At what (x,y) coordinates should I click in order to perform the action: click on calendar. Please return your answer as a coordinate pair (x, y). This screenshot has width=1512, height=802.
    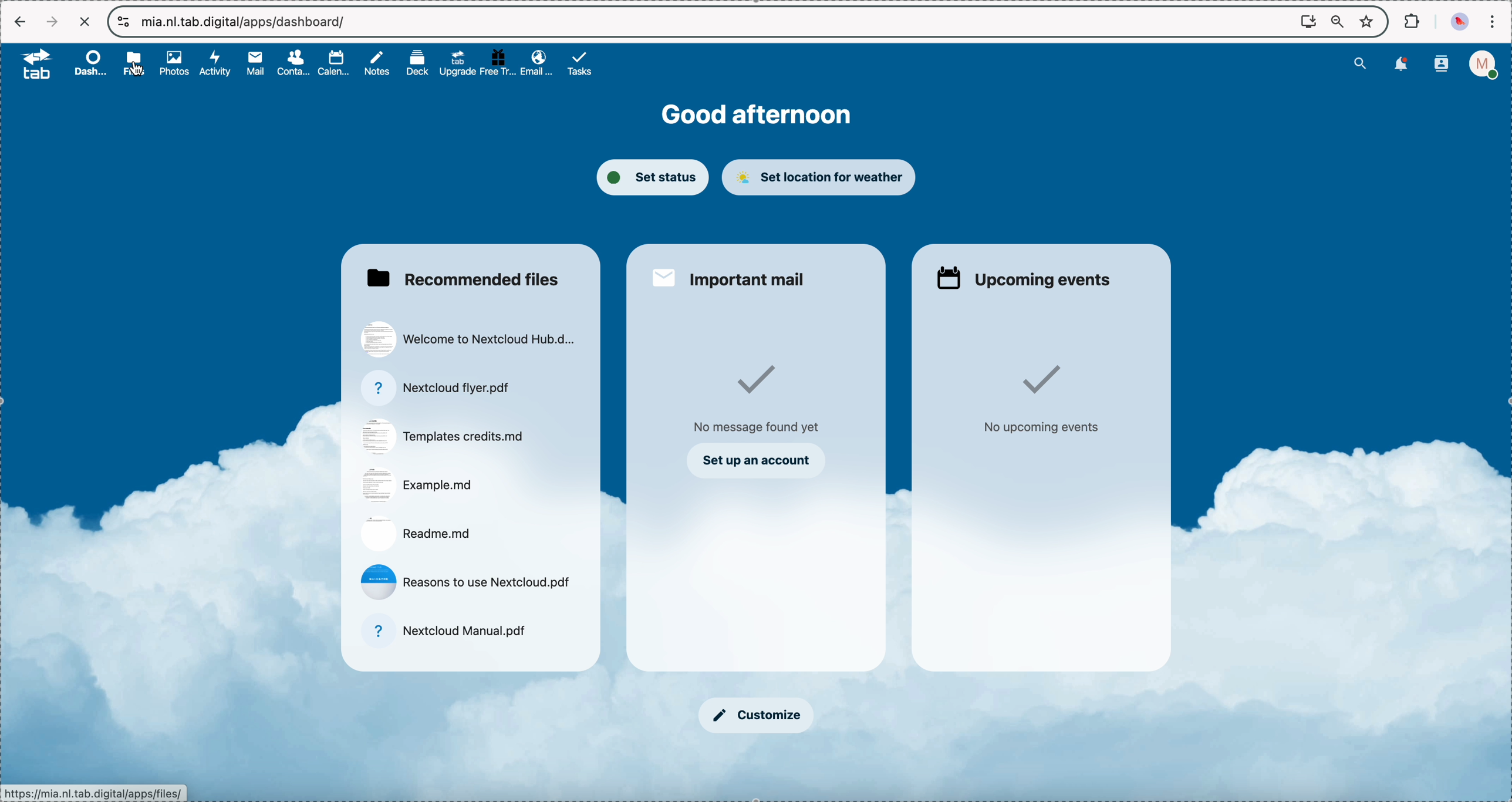
    Looking at the image, I should click on (336, 62).